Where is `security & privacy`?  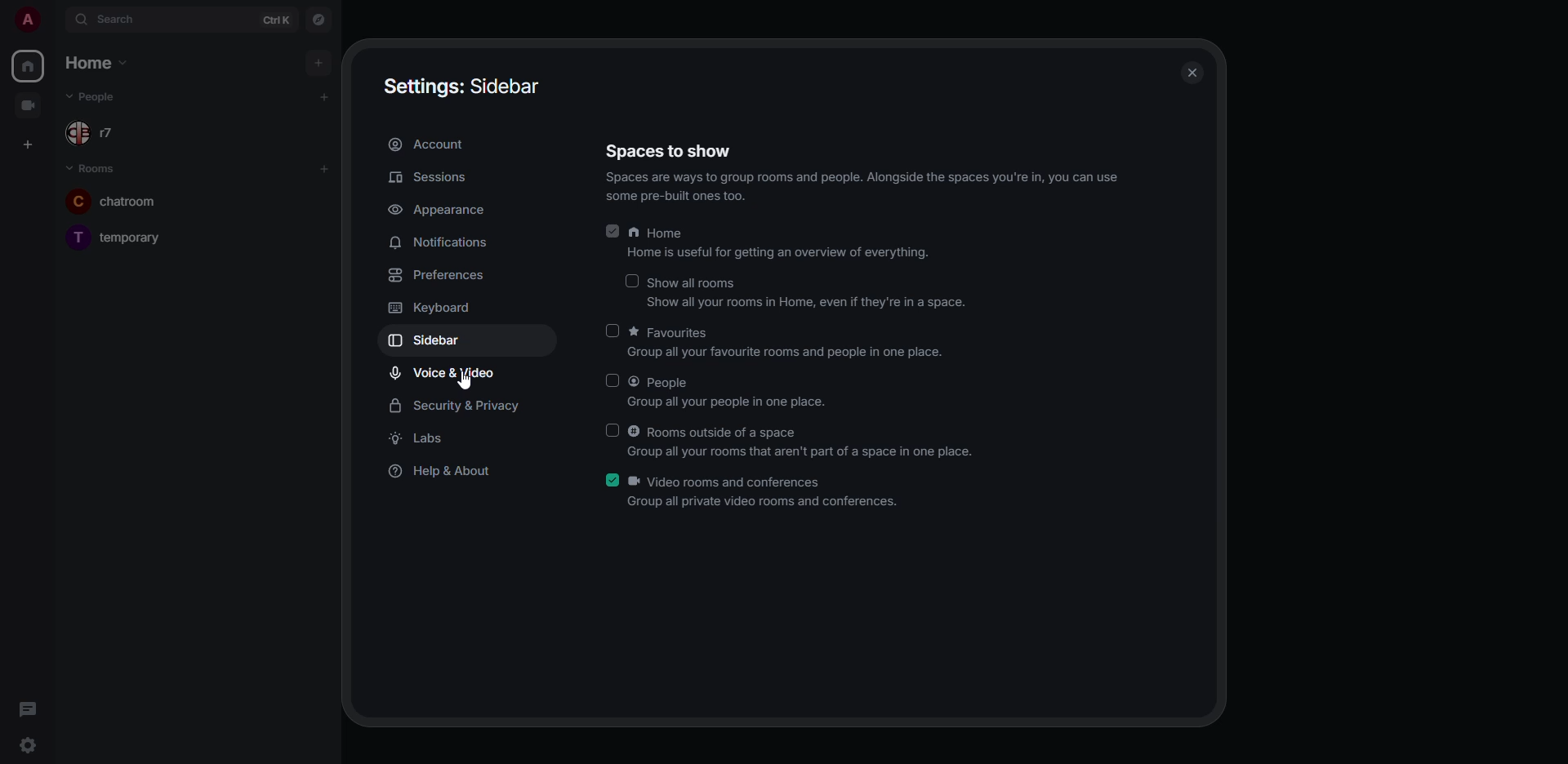
security & privacy is located at coordinates (458, 404).